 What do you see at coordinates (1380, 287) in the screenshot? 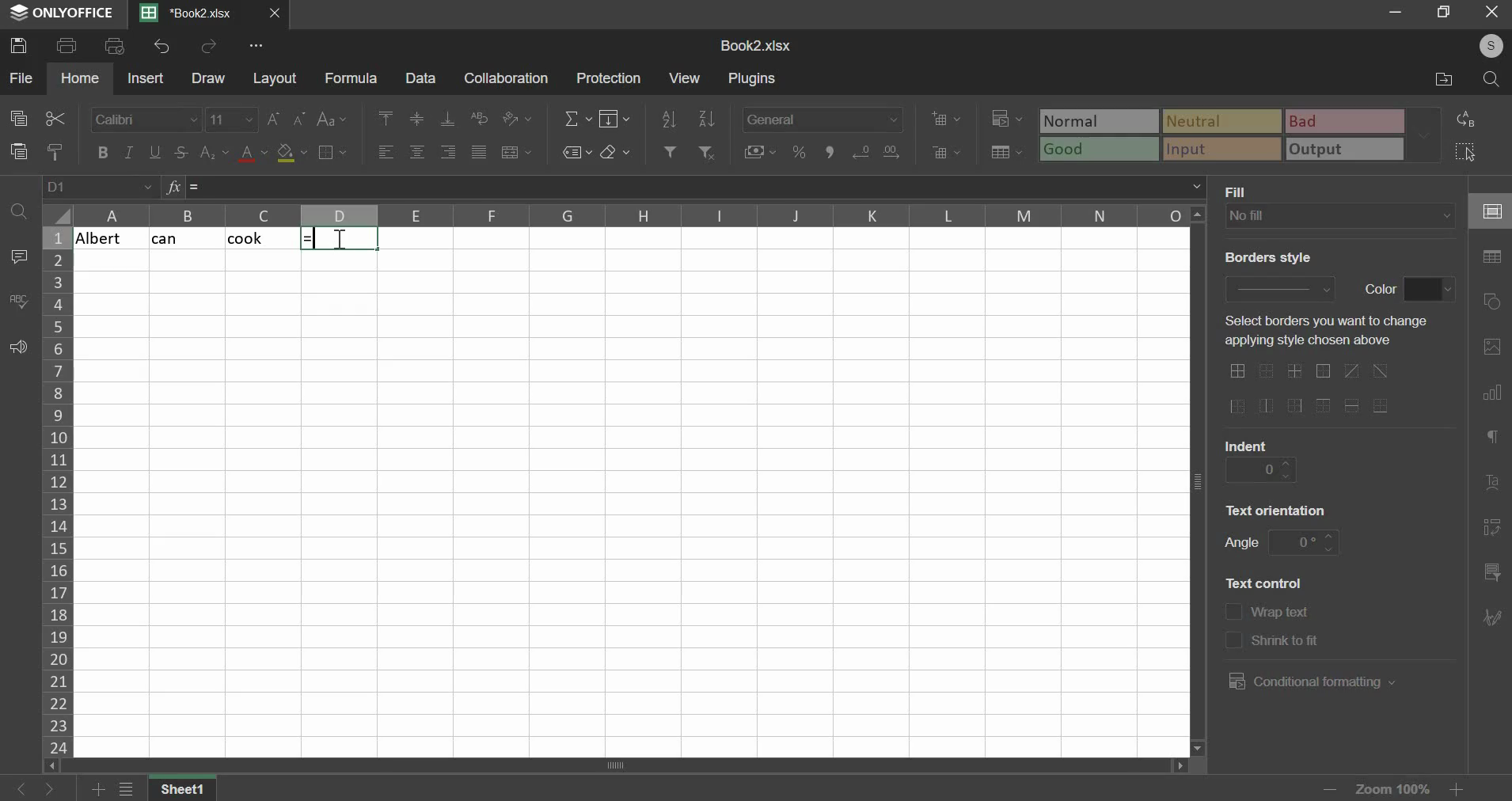
I see `text` at bounding box center [1380, 287].